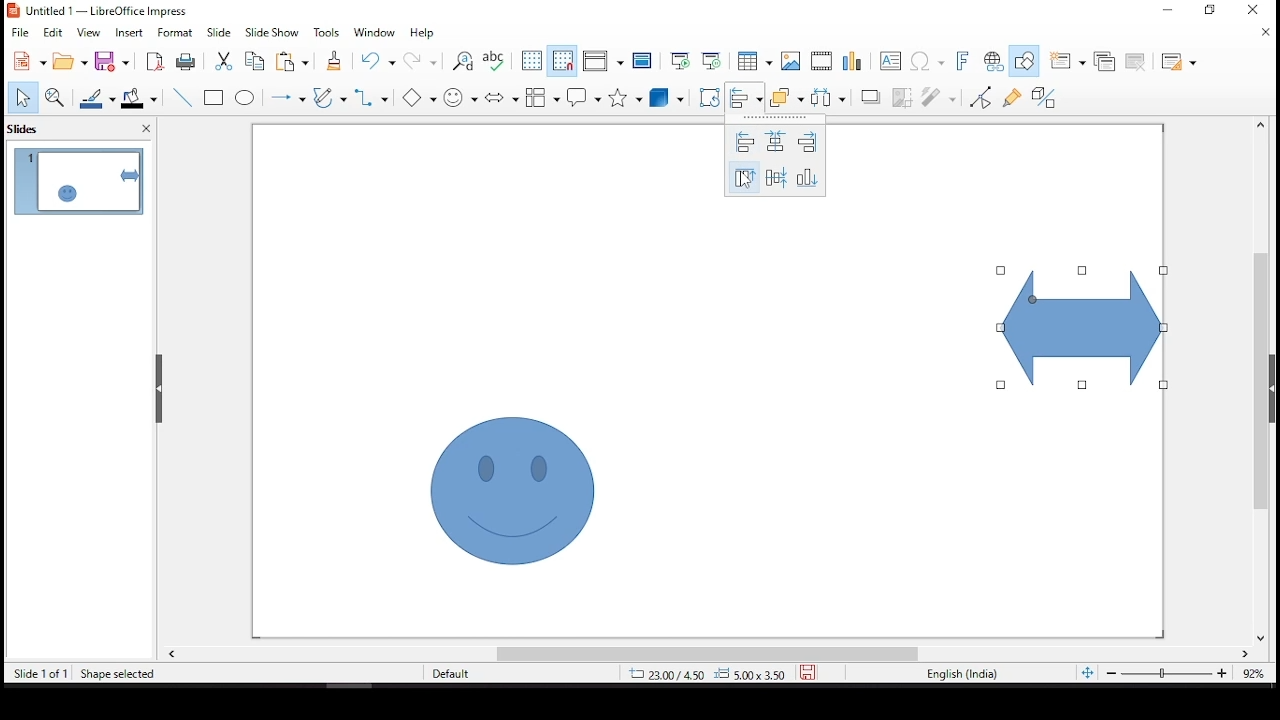  I want to click on filter, so click(940, 94).